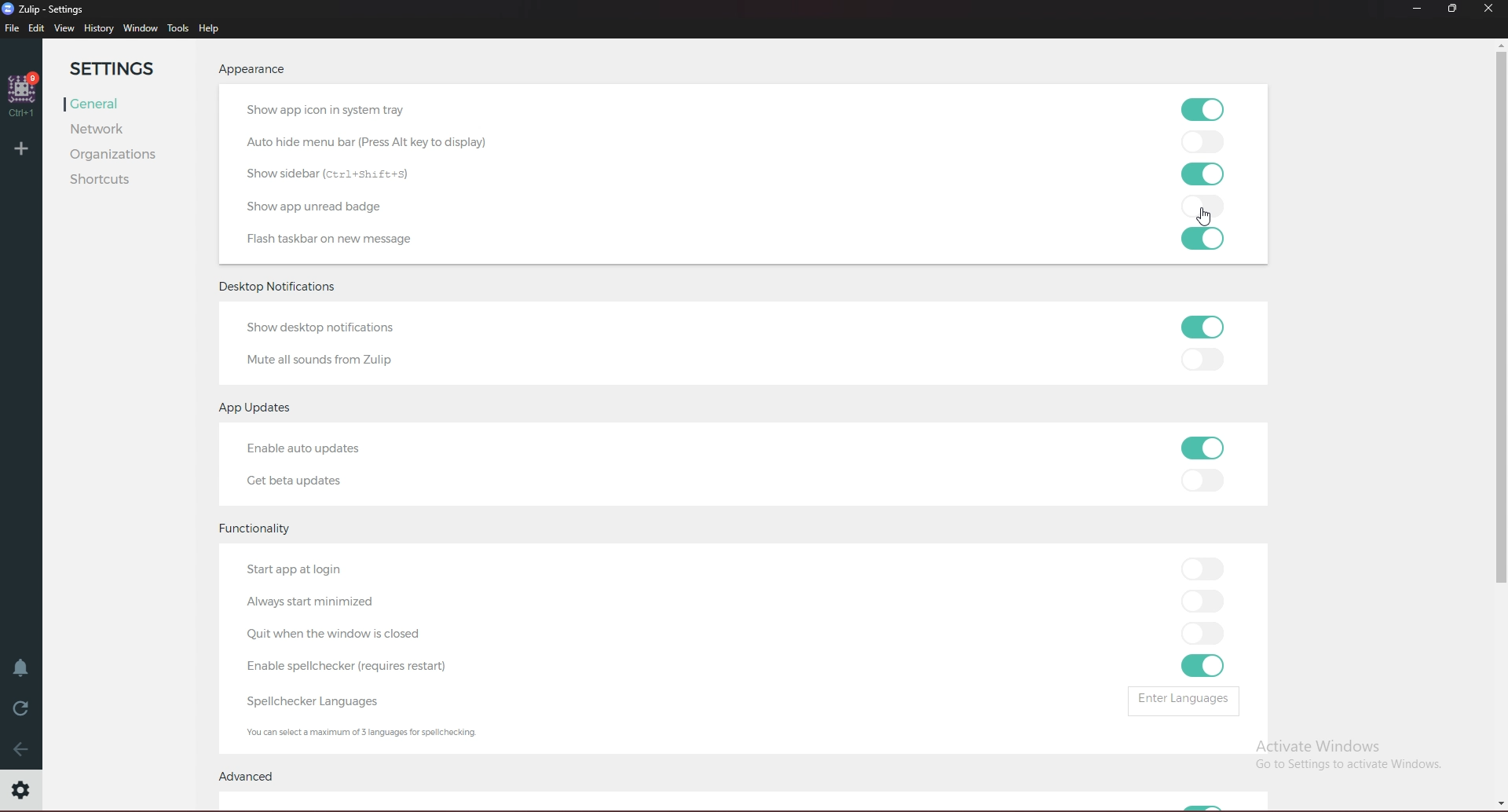 The height and width of the screenshot is (812, 1508). Describe the element at coordinates (383, 144) in the screenshot. I see `autohide menu bar` at that location.